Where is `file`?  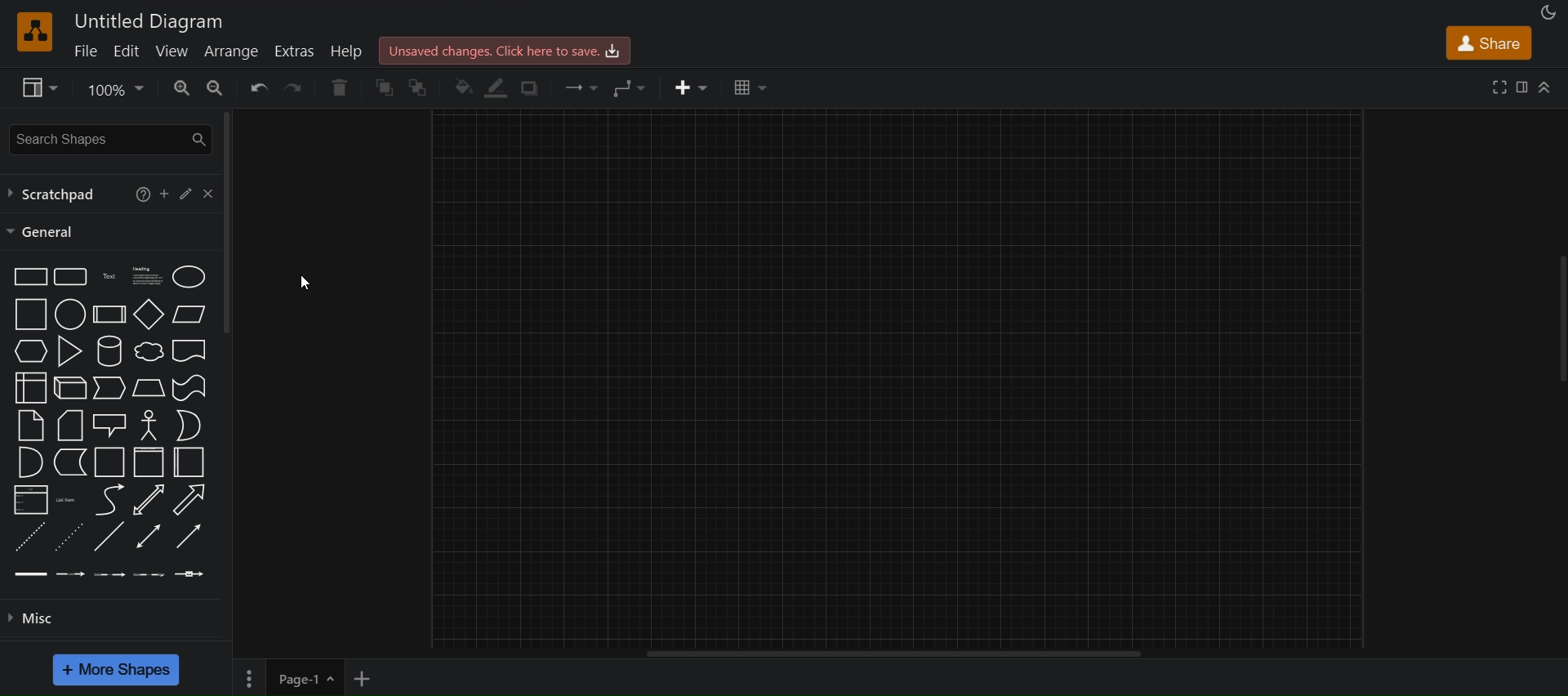 file is located at coordinates (88, 52).